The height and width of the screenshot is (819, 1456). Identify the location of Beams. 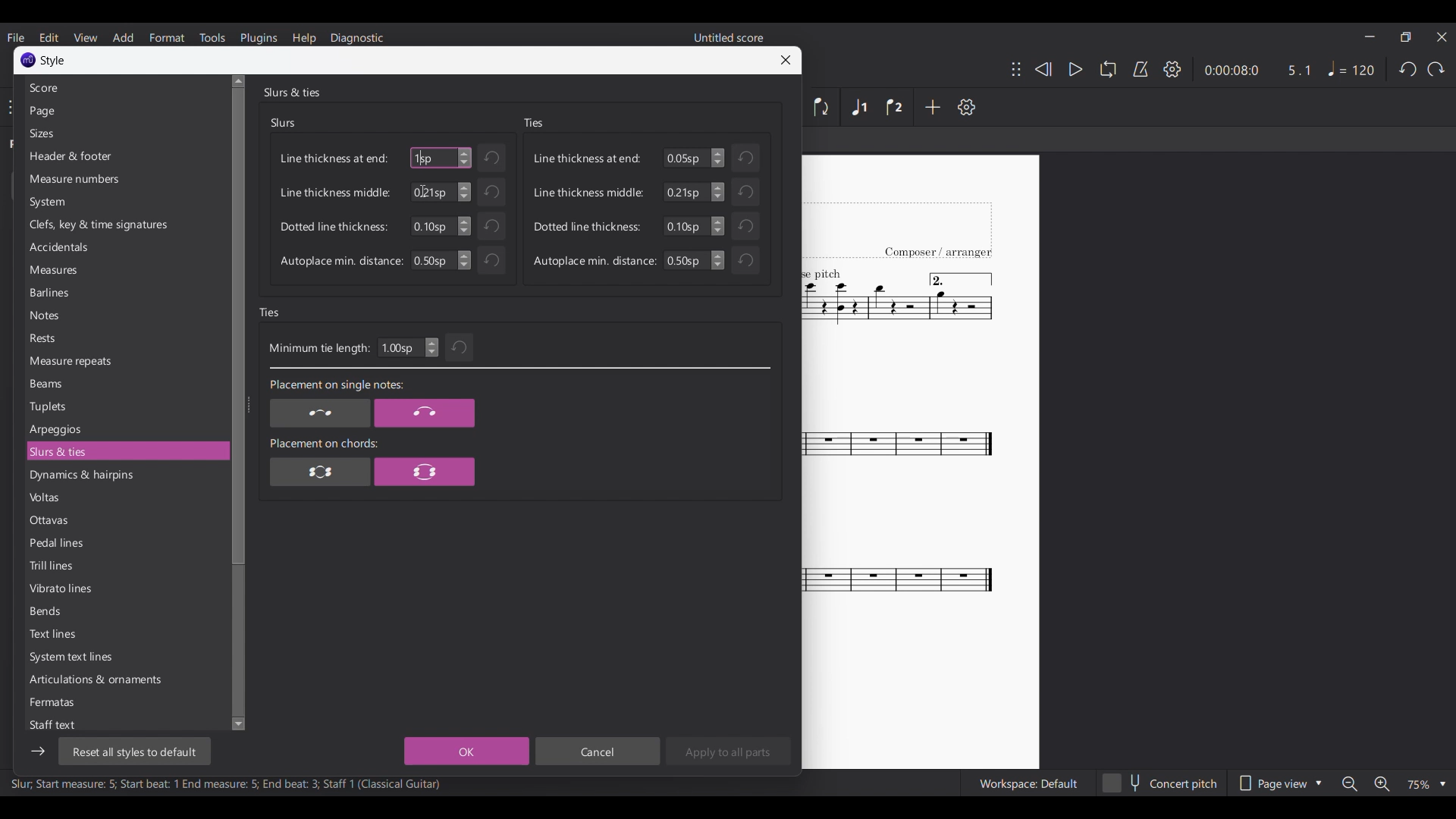
(126, 384).